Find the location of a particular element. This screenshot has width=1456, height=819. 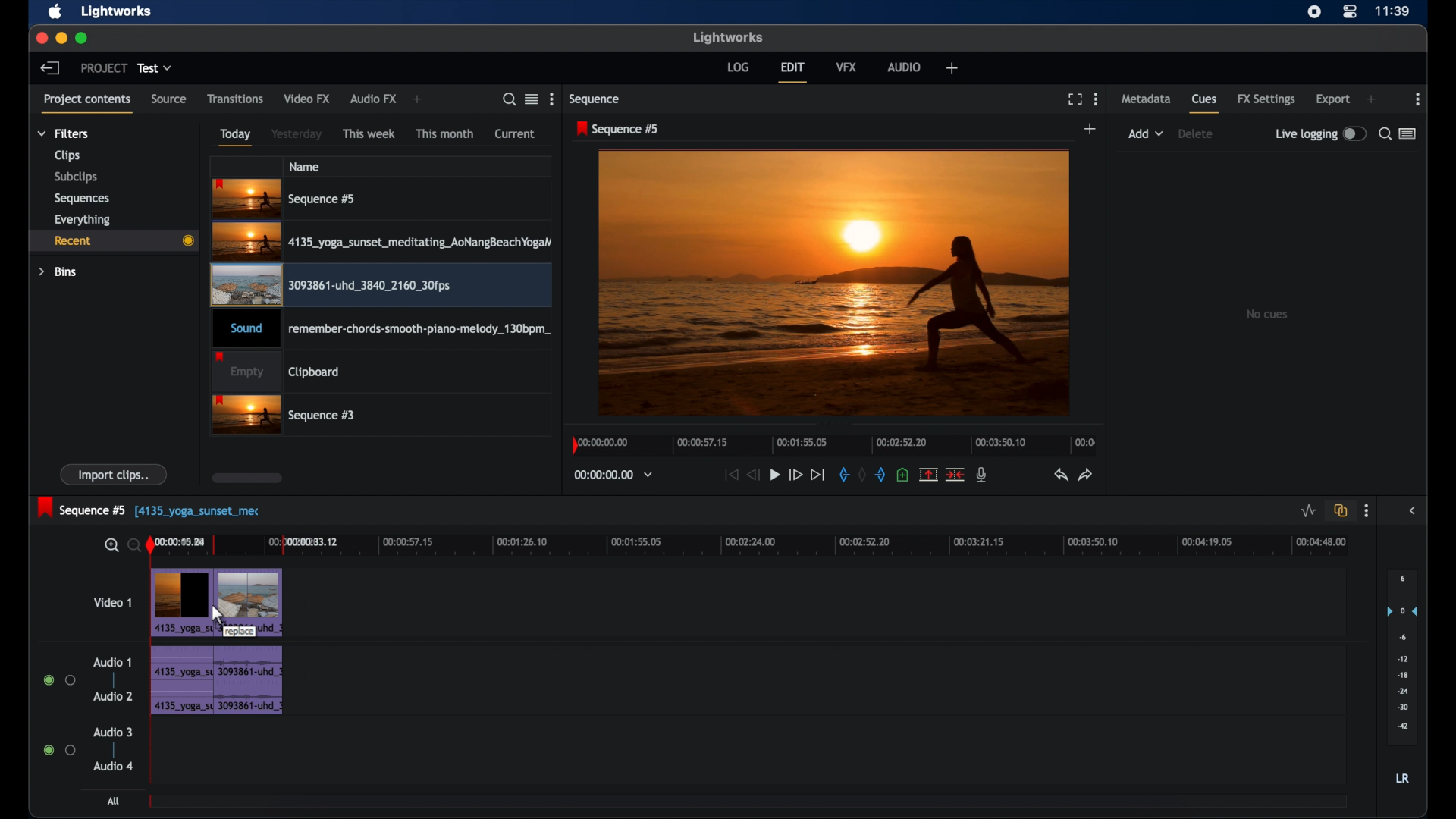

search is located at coordinates (1384, 135).